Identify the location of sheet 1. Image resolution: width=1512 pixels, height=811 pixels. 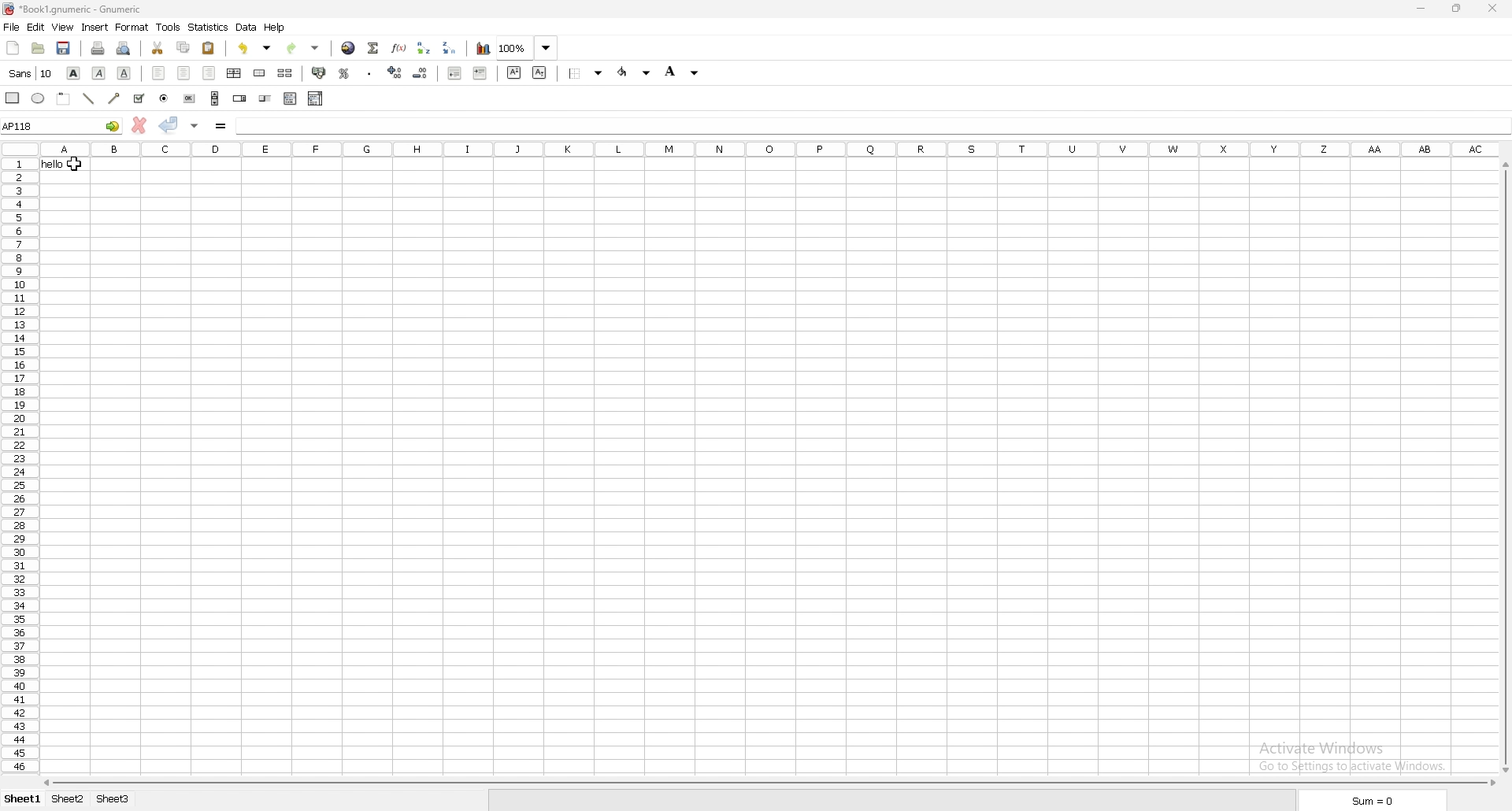
(24, 800).